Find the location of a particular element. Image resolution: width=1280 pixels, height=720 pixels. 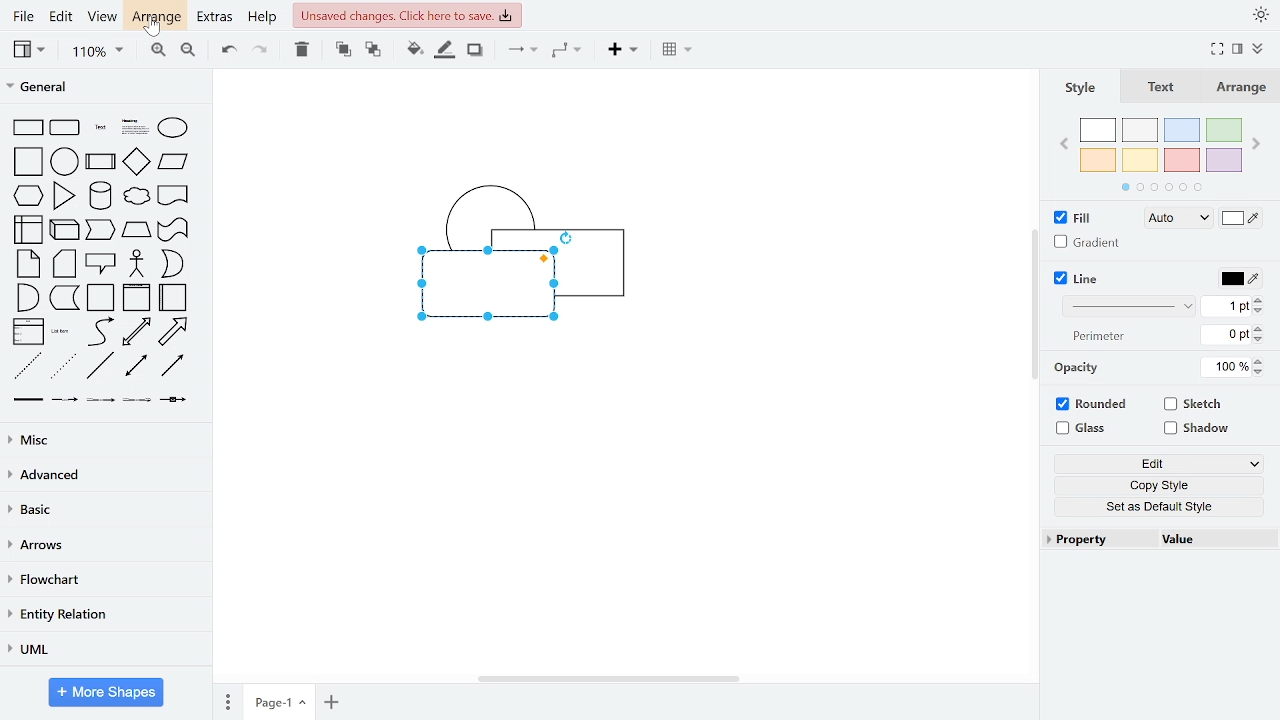

data storage is located at coordinates (63, 297).